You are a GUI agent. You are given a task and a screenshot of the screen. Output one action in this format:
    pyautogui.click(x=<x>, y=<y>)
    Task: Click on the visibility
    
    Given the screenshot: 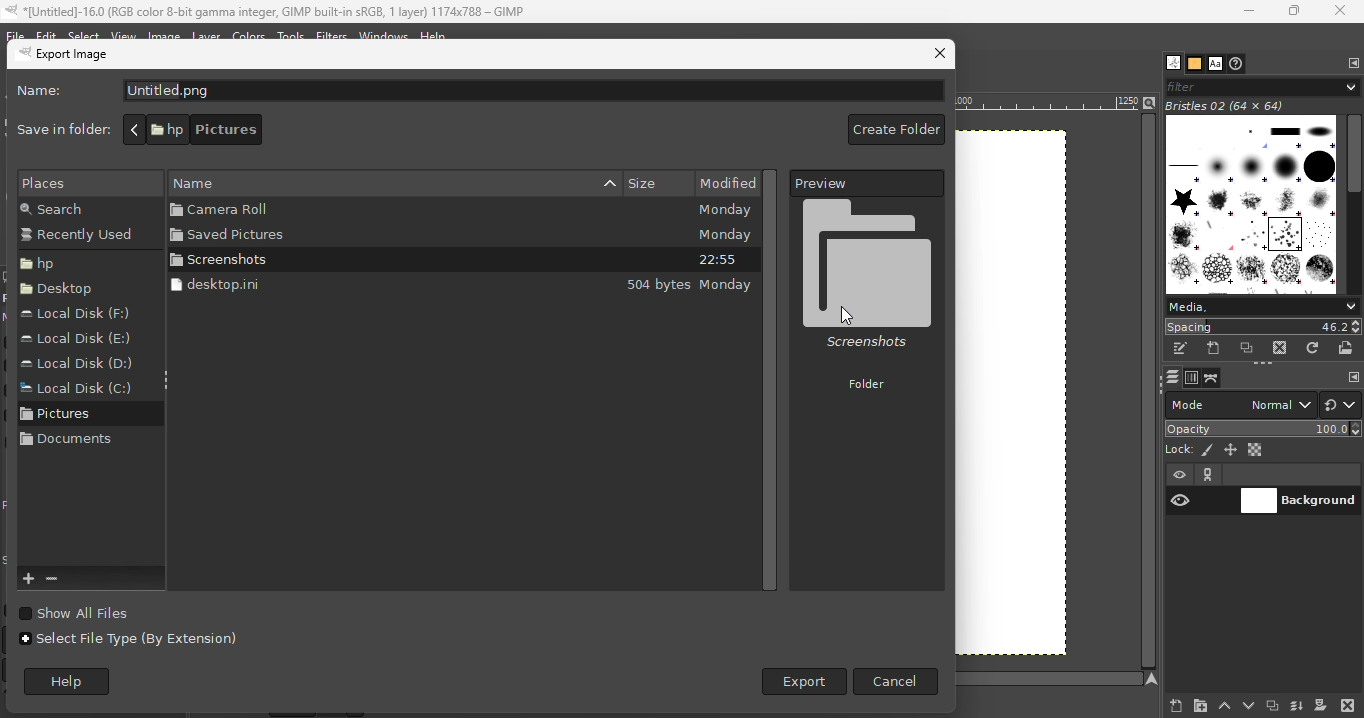 What is the action you would take?
    pyautogui.click(x=1182, y=476)
    